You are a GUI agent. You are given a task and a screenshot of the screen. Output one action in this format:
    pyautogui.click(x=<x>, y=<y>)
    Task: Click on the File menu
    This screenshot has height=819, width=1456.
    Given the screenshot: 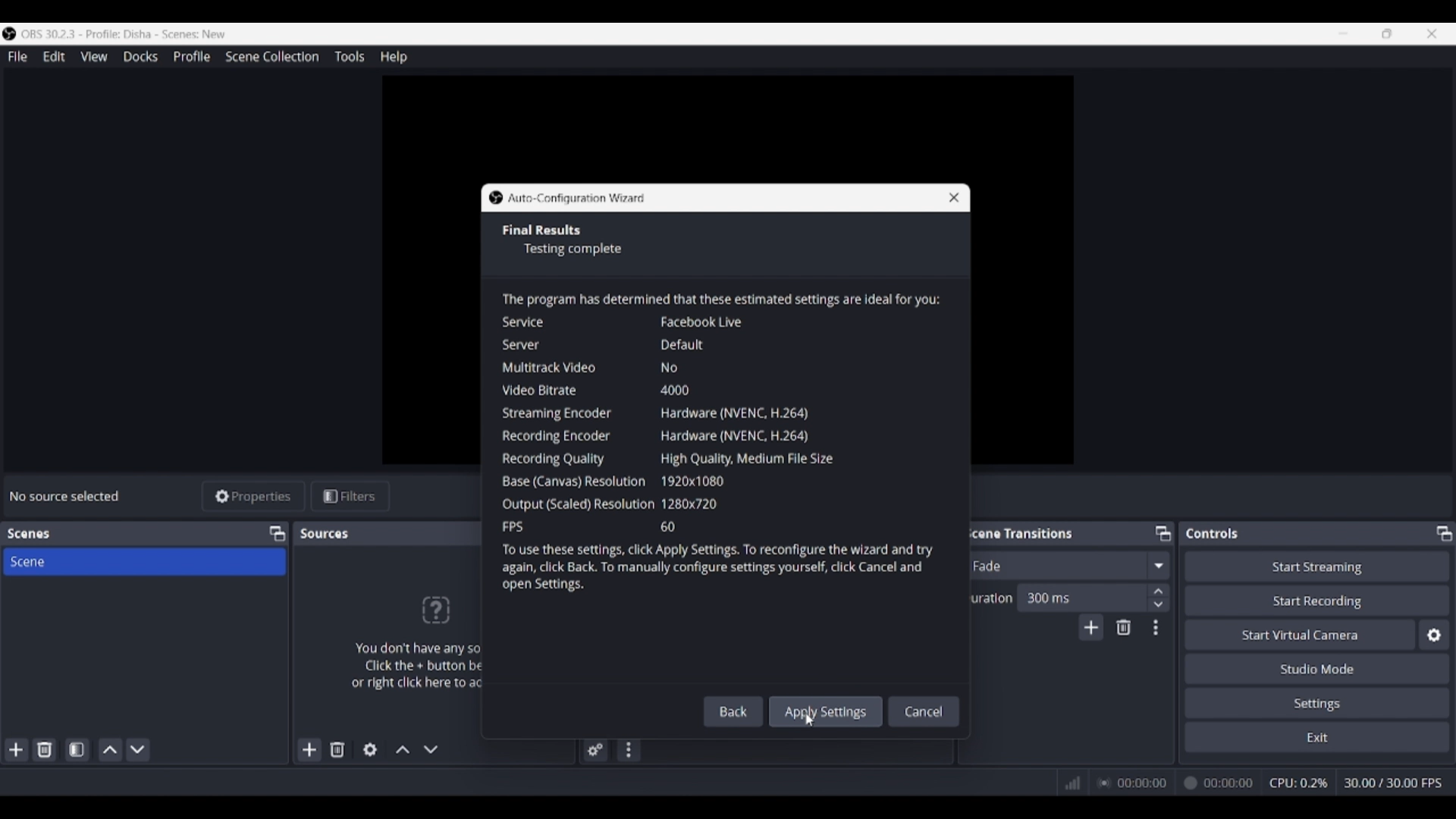 What is the action you would take?
    pyautogui.click(x=17, y=56)
    